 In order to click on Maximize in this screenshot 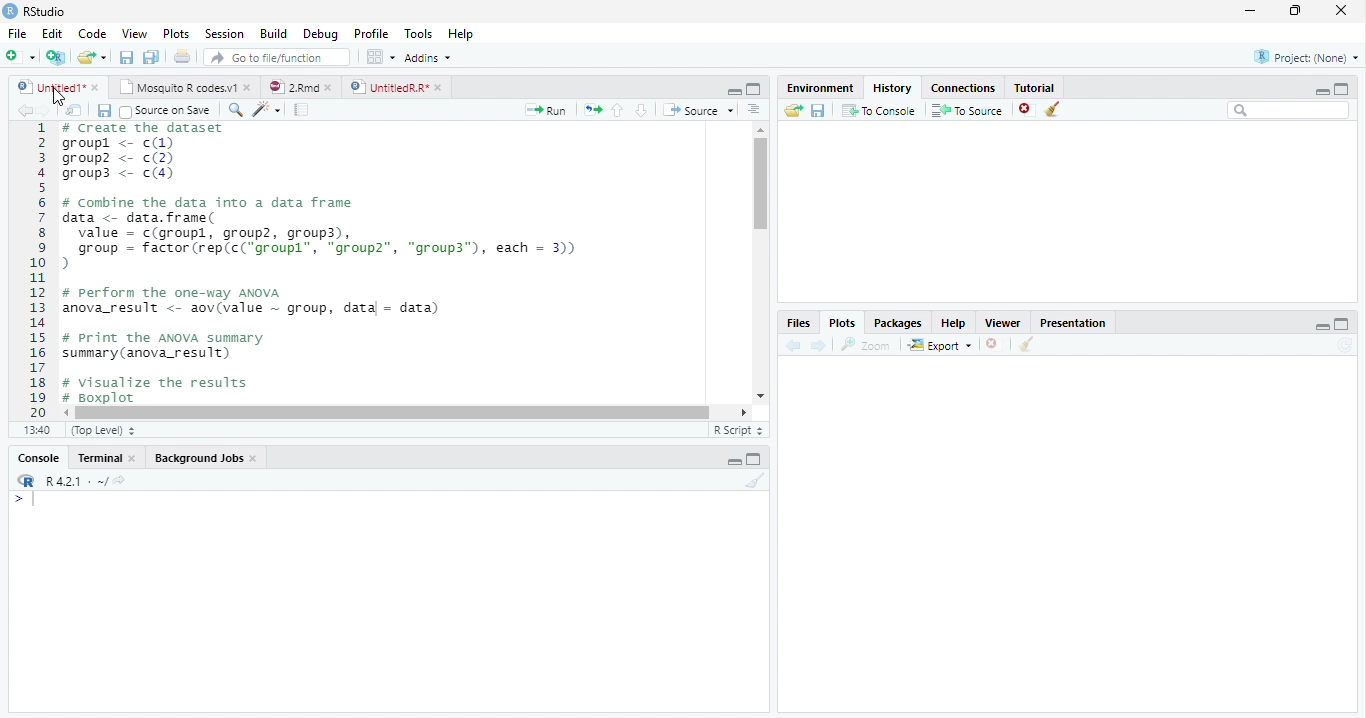, I will do `click(754, 90)`.